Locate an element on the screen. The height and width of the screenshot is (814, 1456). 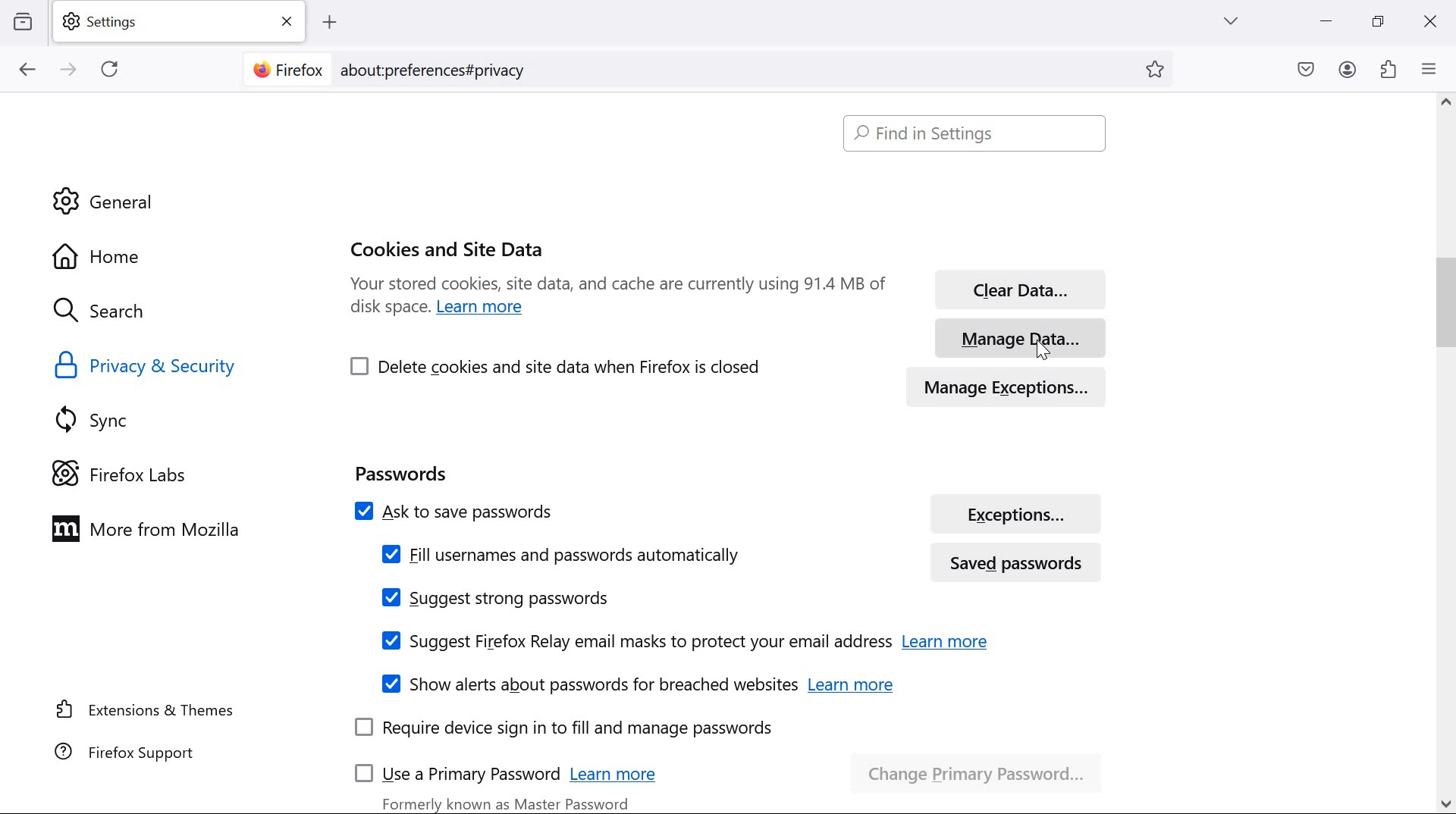
view recent browsing across windows is located at coordinates (23, 20).